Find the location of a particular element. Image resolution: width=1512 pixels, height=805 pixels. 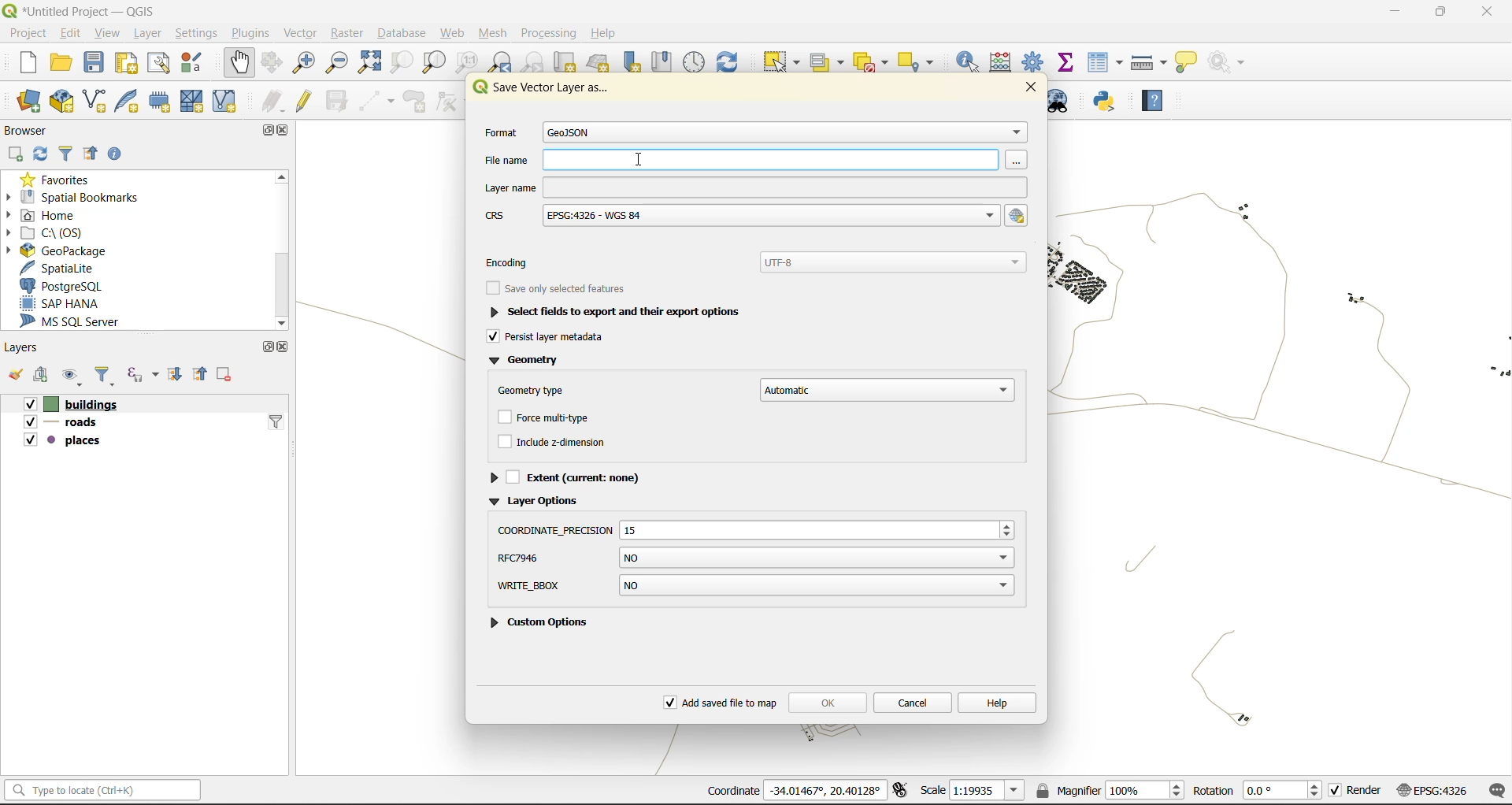

save edits is located at coordinates (336, 99).